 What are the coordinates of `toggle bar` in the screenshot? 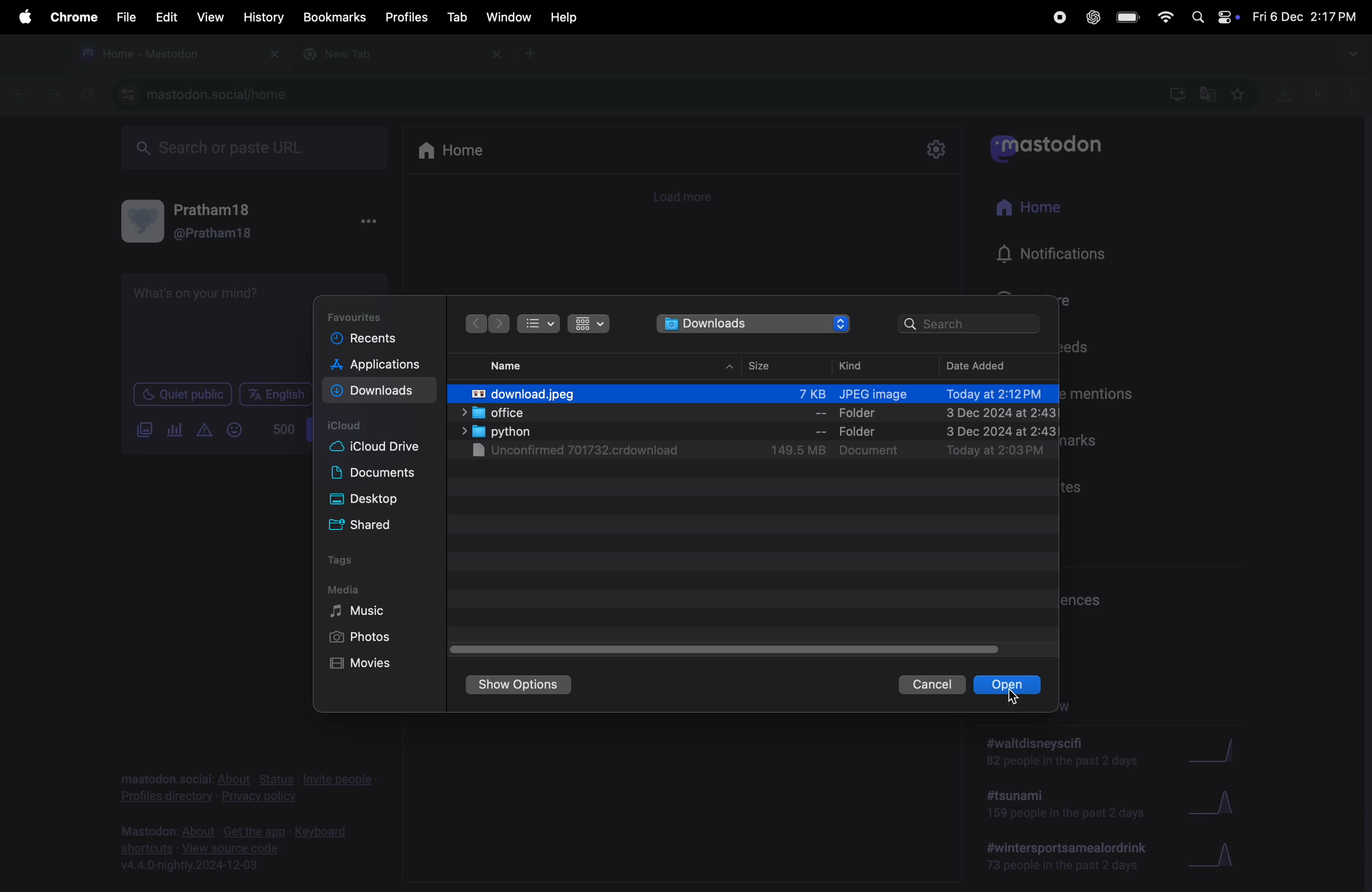 It's located at (722, 649).